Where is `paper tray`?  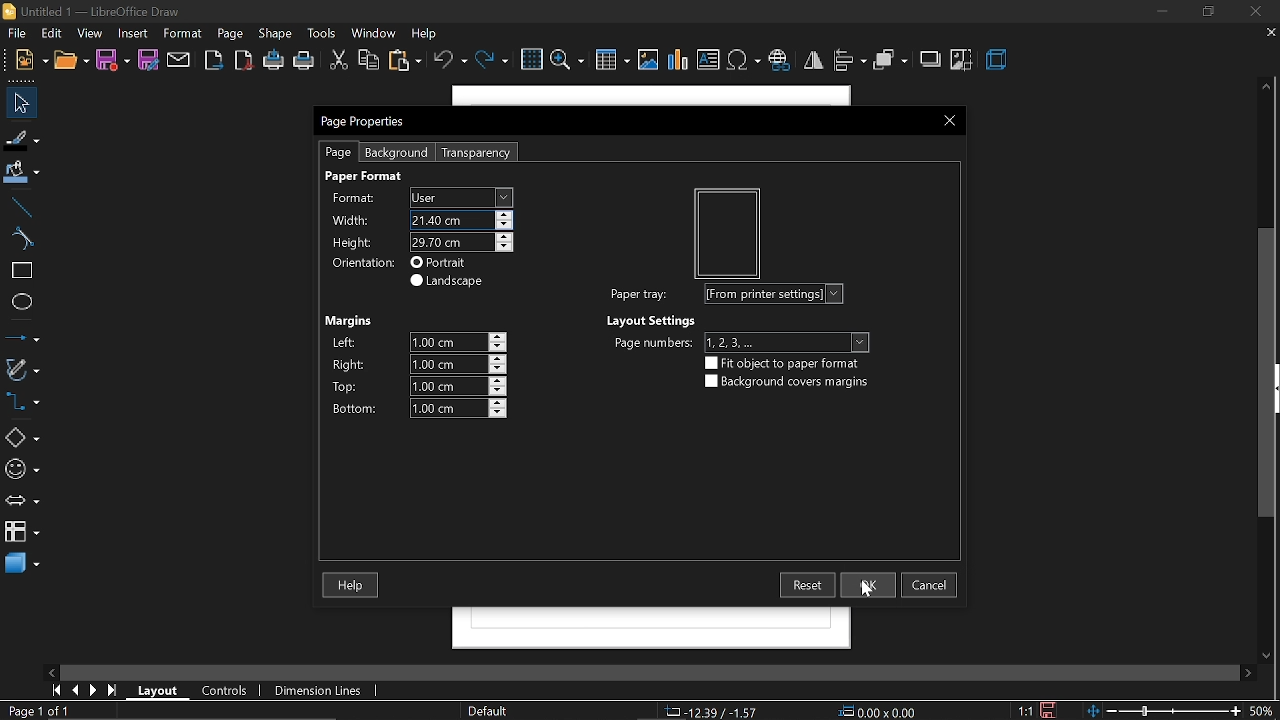
paper tray is located at coordinates (641, 297).